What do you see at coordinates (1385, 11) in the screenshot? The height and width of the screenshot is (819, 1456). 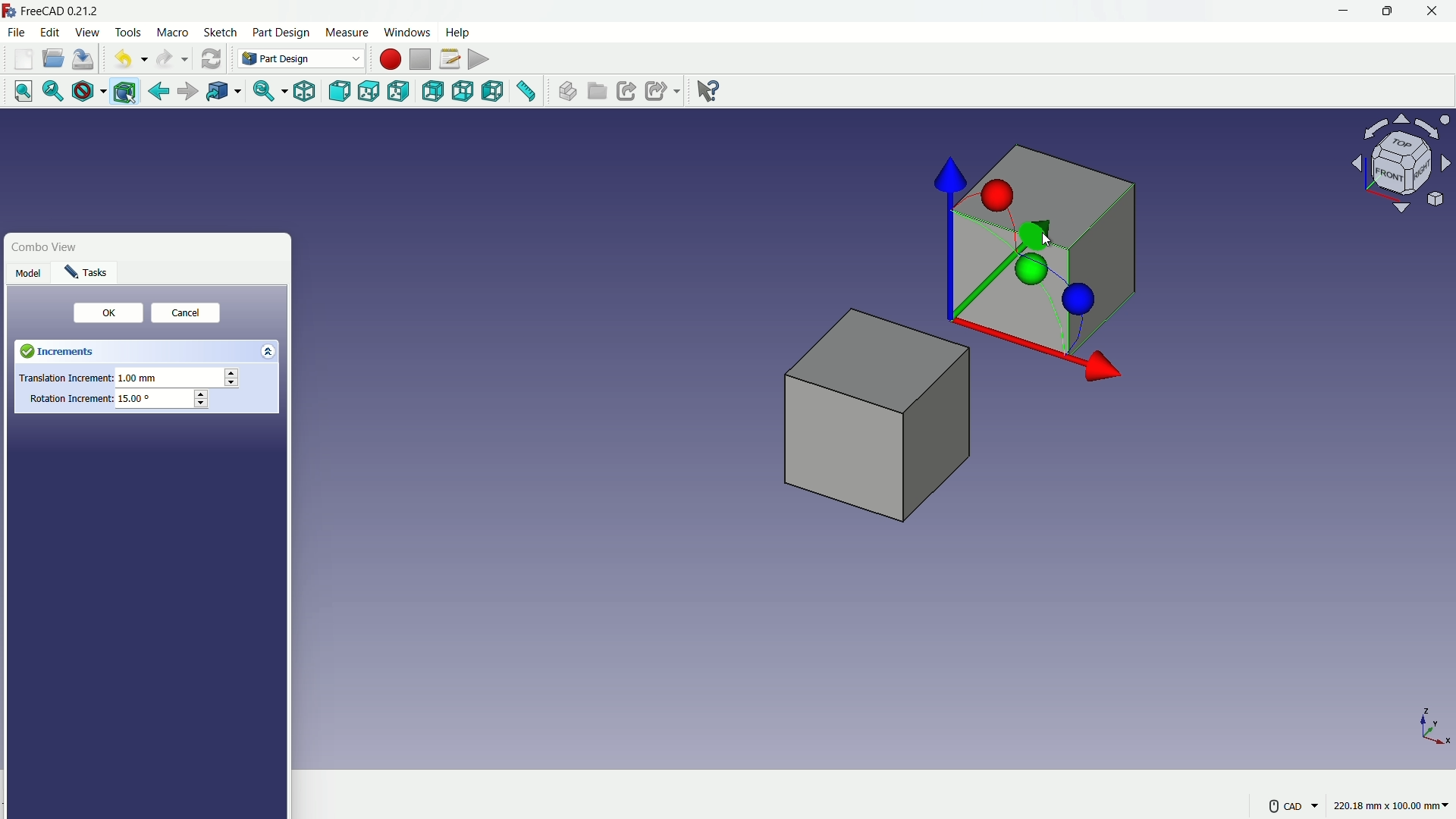 I see `maximize or restore` at bounding box center [1385, 11].